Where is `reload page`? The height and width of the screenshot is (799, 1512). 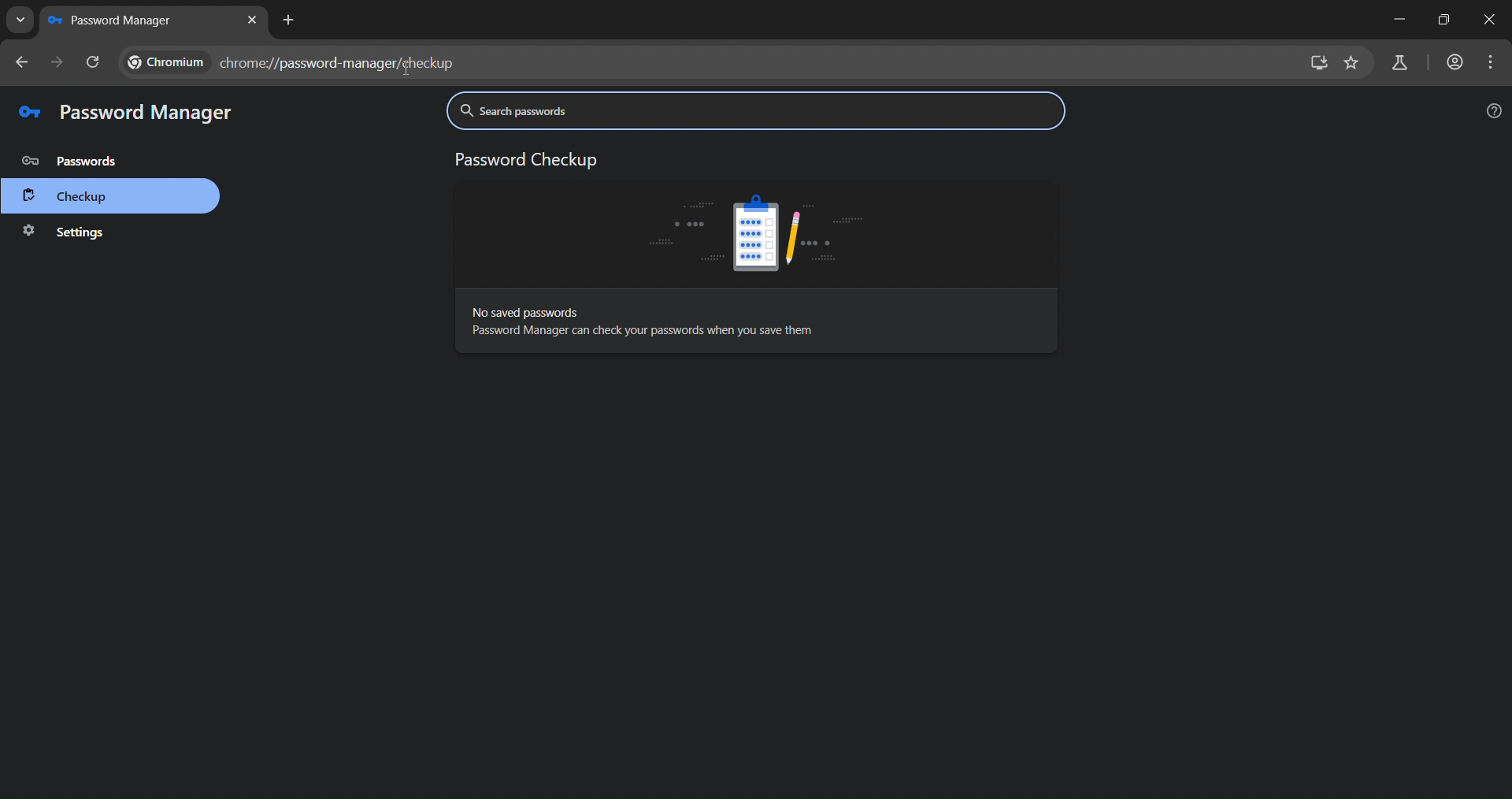 reload page is located at coordinates (94, 64).